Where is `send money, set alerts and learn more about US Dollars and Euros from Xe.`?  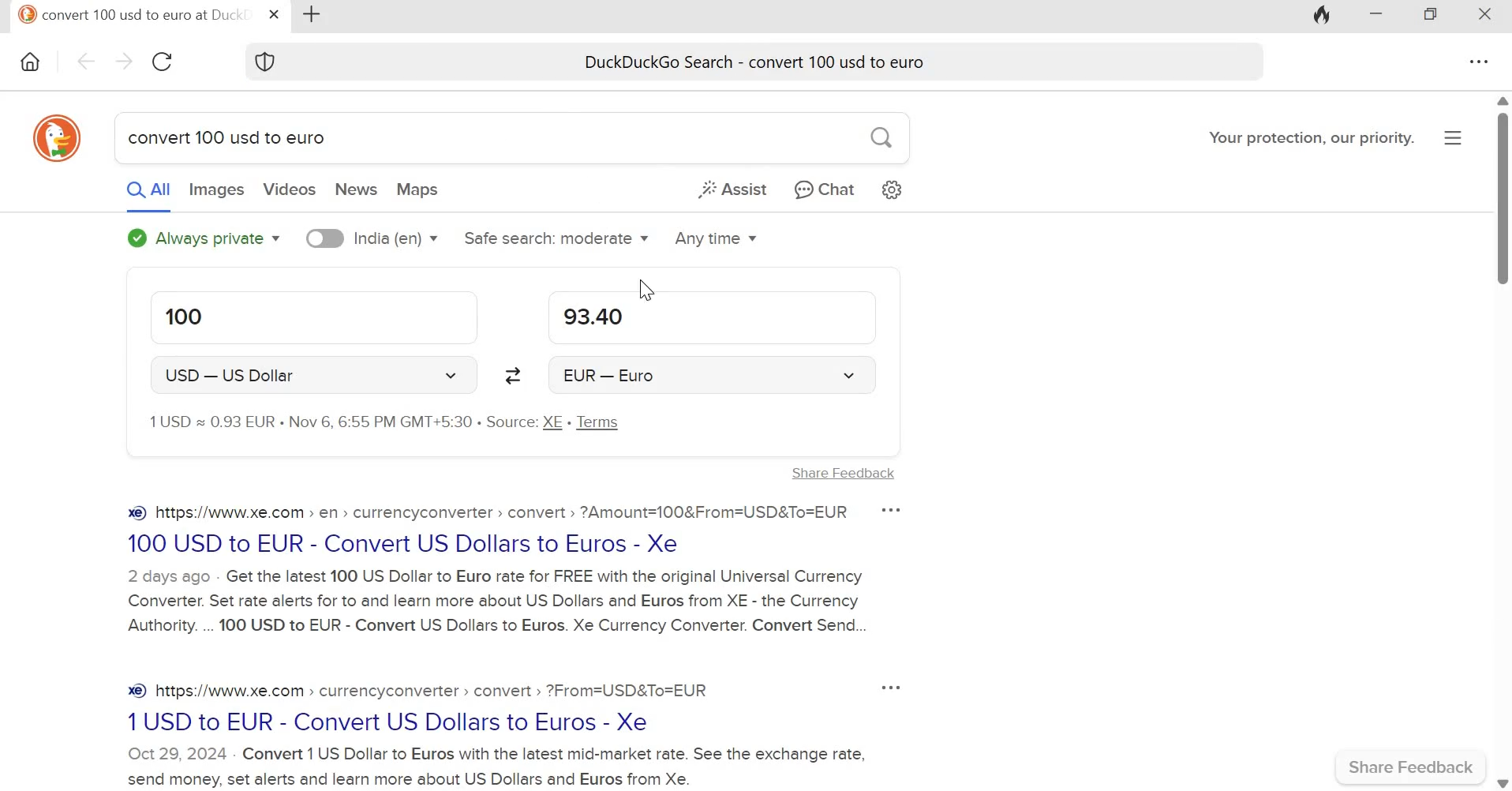 send money, set alerts and learn more about US Dollars and Euros from Xe. is located at coordinates (412, 778).